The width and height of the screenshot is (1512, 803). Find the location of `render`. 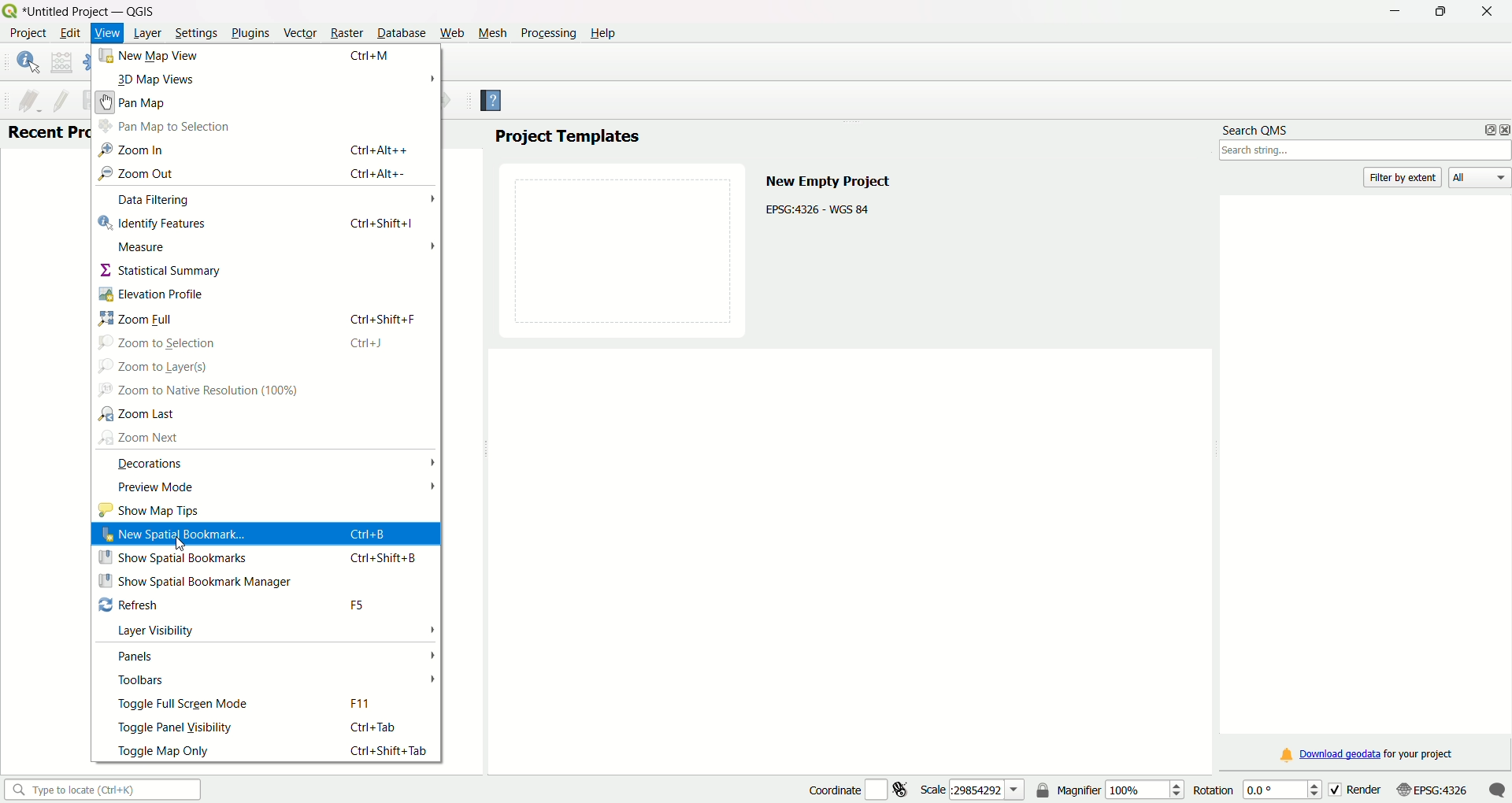

render is located at coordinates (1354, 788).